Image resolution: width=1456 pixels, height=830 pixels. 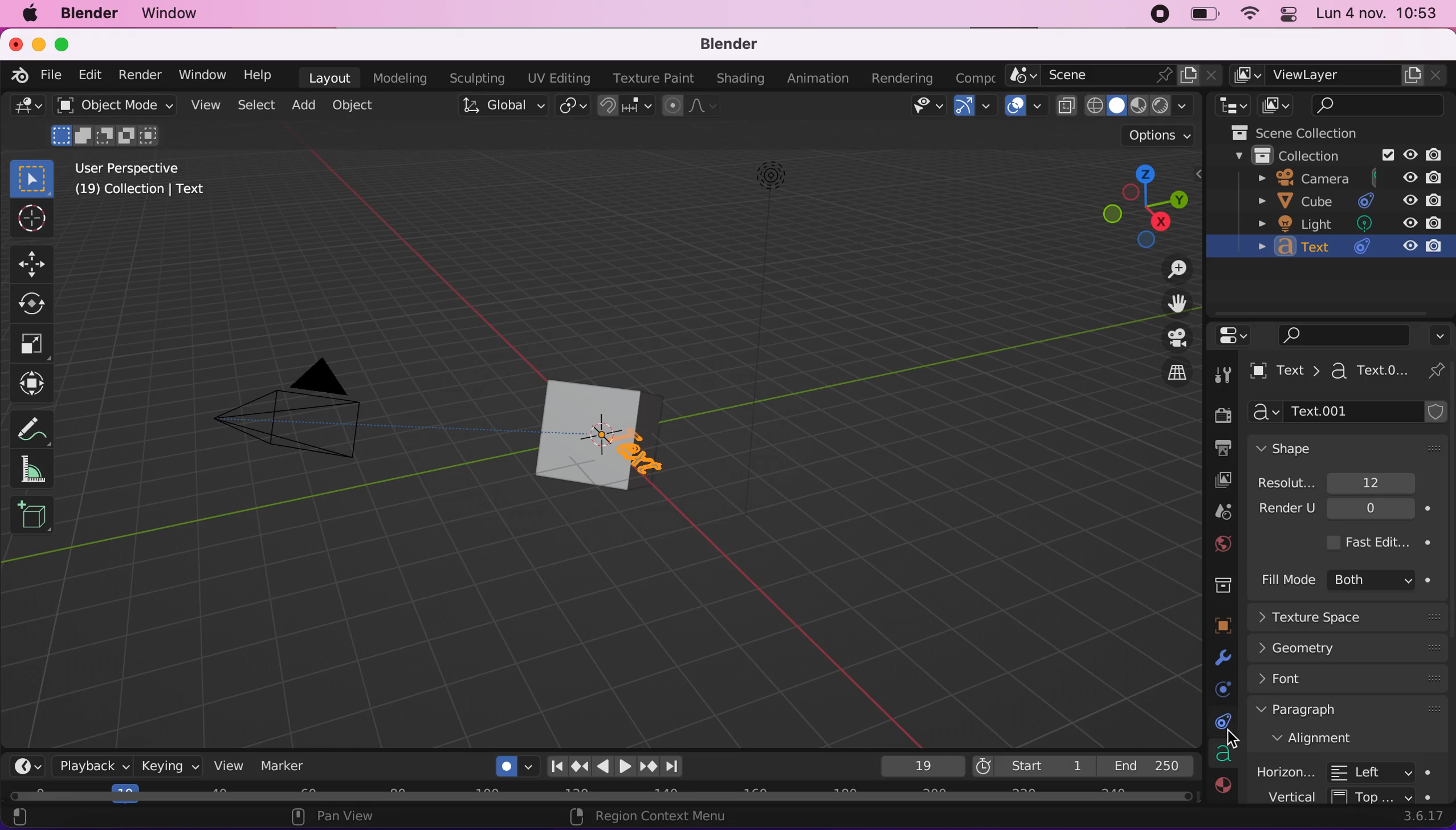 I want to click on select, so click(x=259, y=106).